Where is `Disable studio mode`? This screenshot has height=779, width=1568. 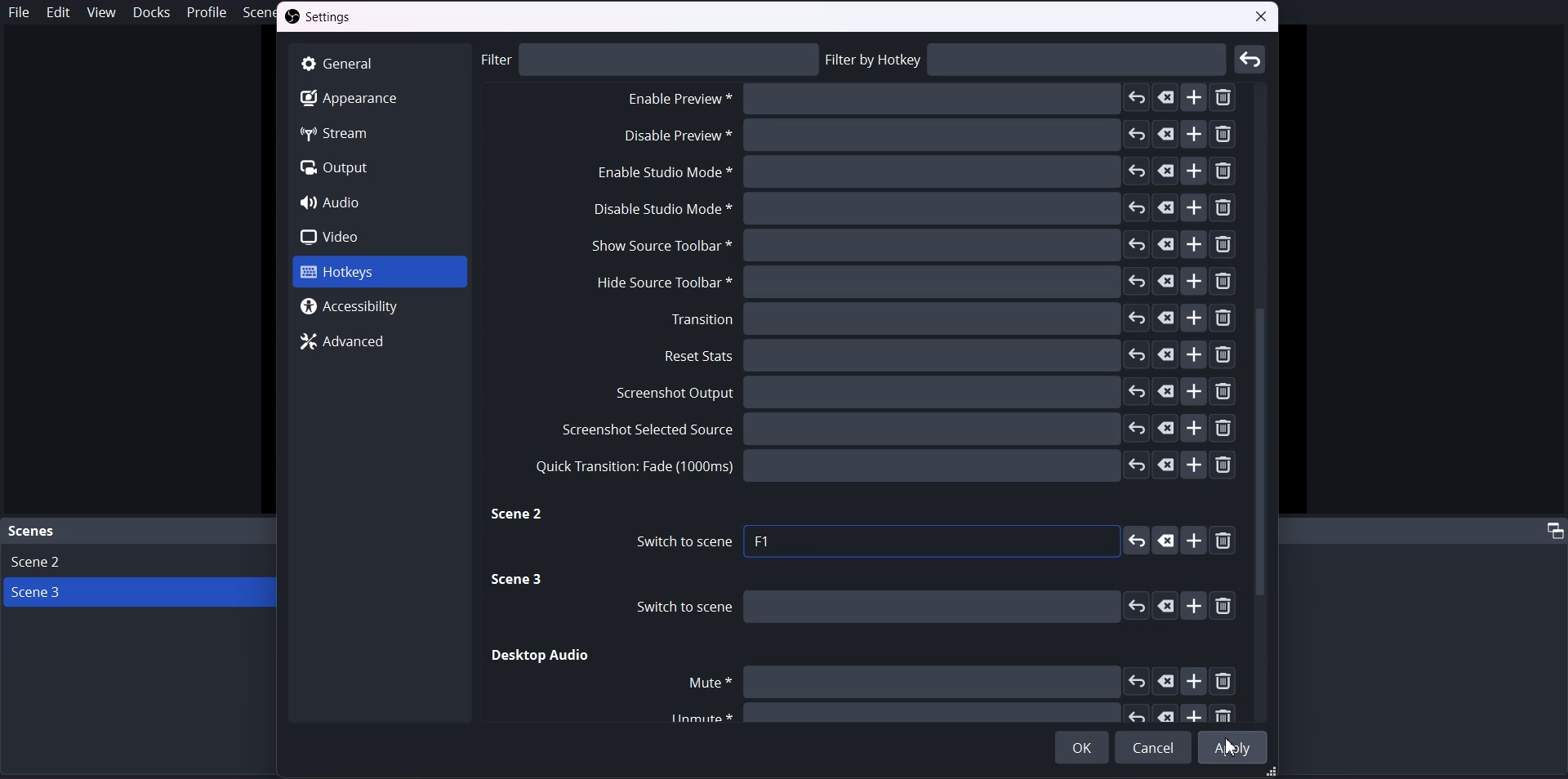
Disable studio mode is located at coordinates (913, 209).